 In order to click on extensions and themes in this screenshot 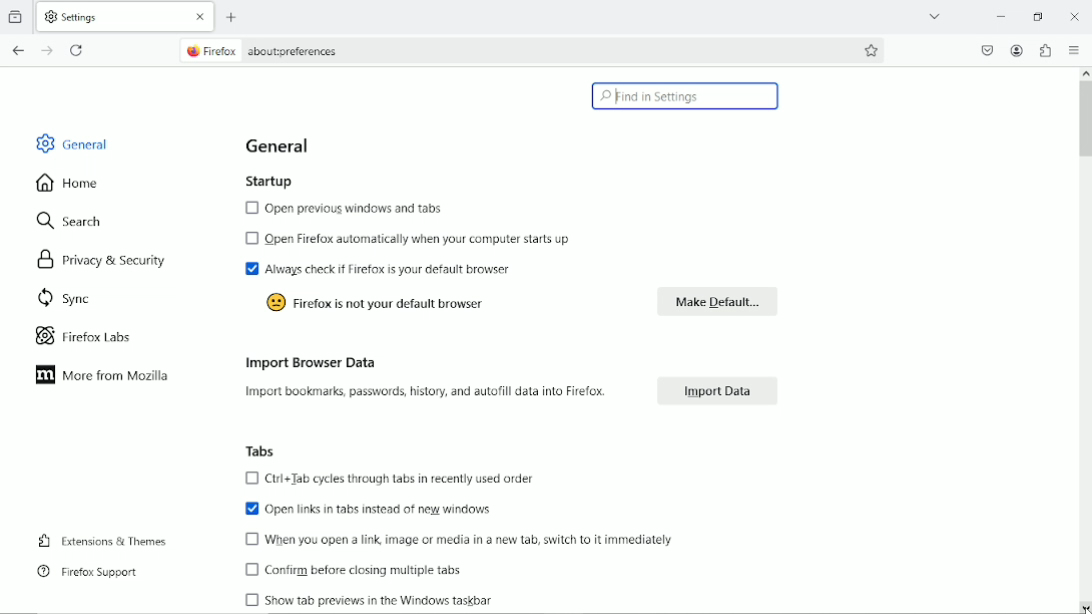, I will do `click(103, 541)`.